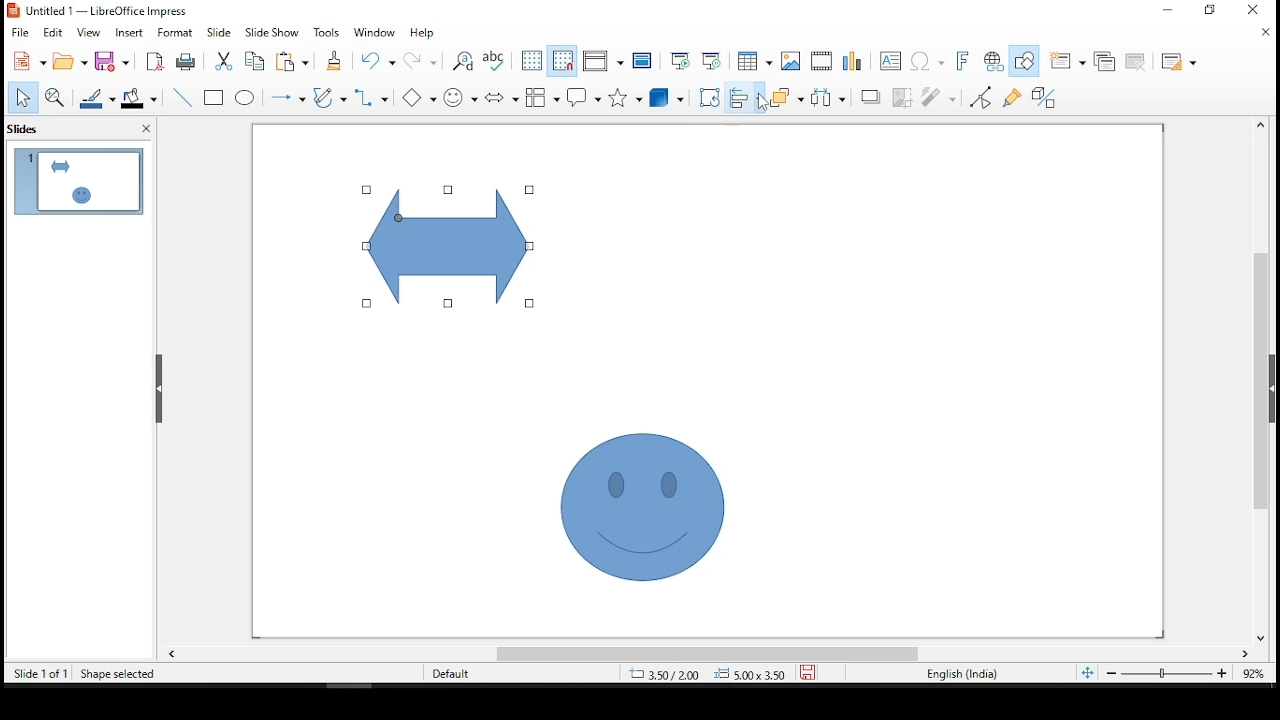 This screenshot has width=1280, height=720. What do you see at coordinates (541, 94) in the screenshot?
I see `flowchart` at bounding box center [541, 94].